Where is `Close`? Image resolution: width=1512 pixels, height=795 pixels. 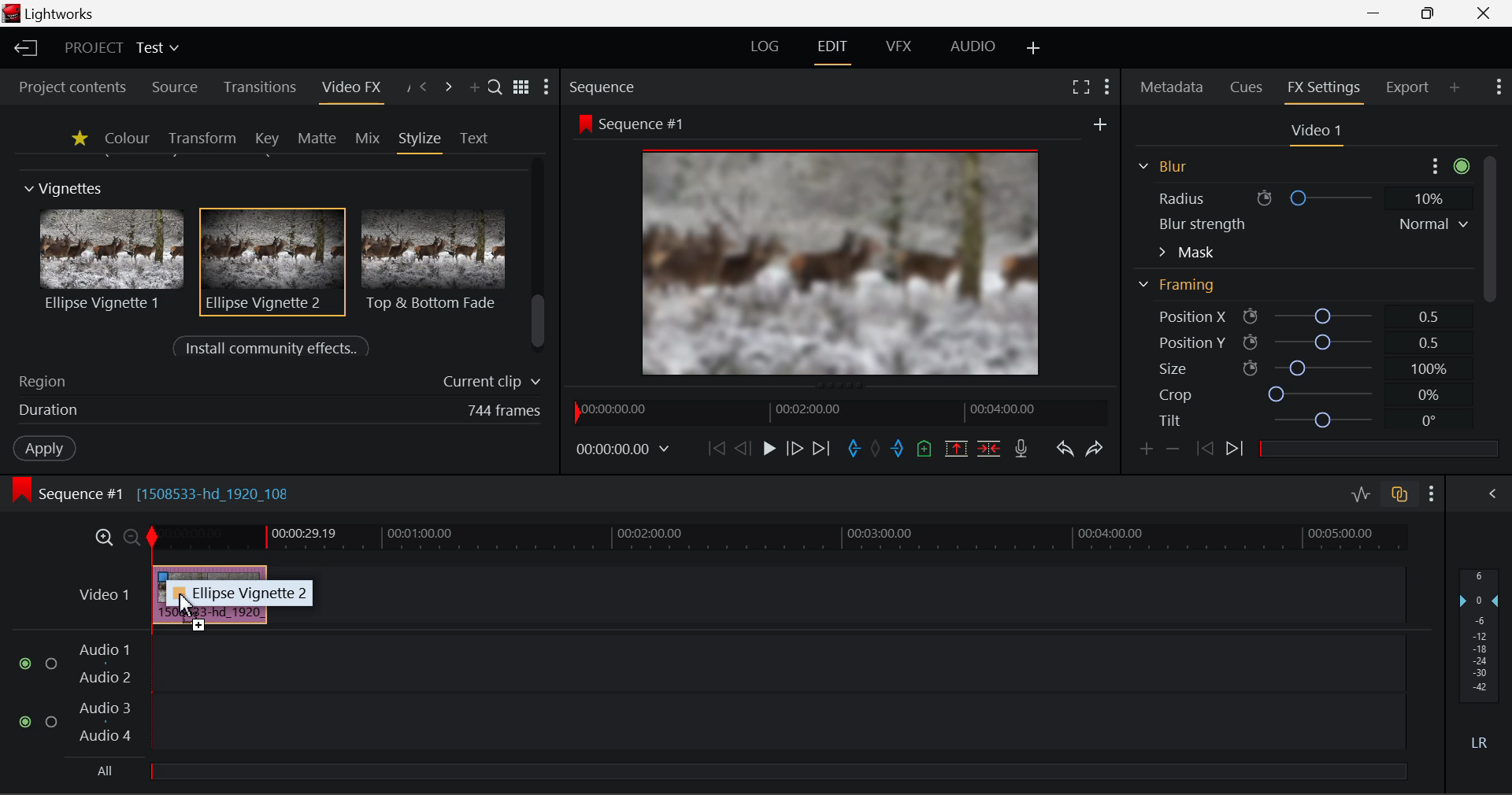 Close is located at coordinates (1482, 13).